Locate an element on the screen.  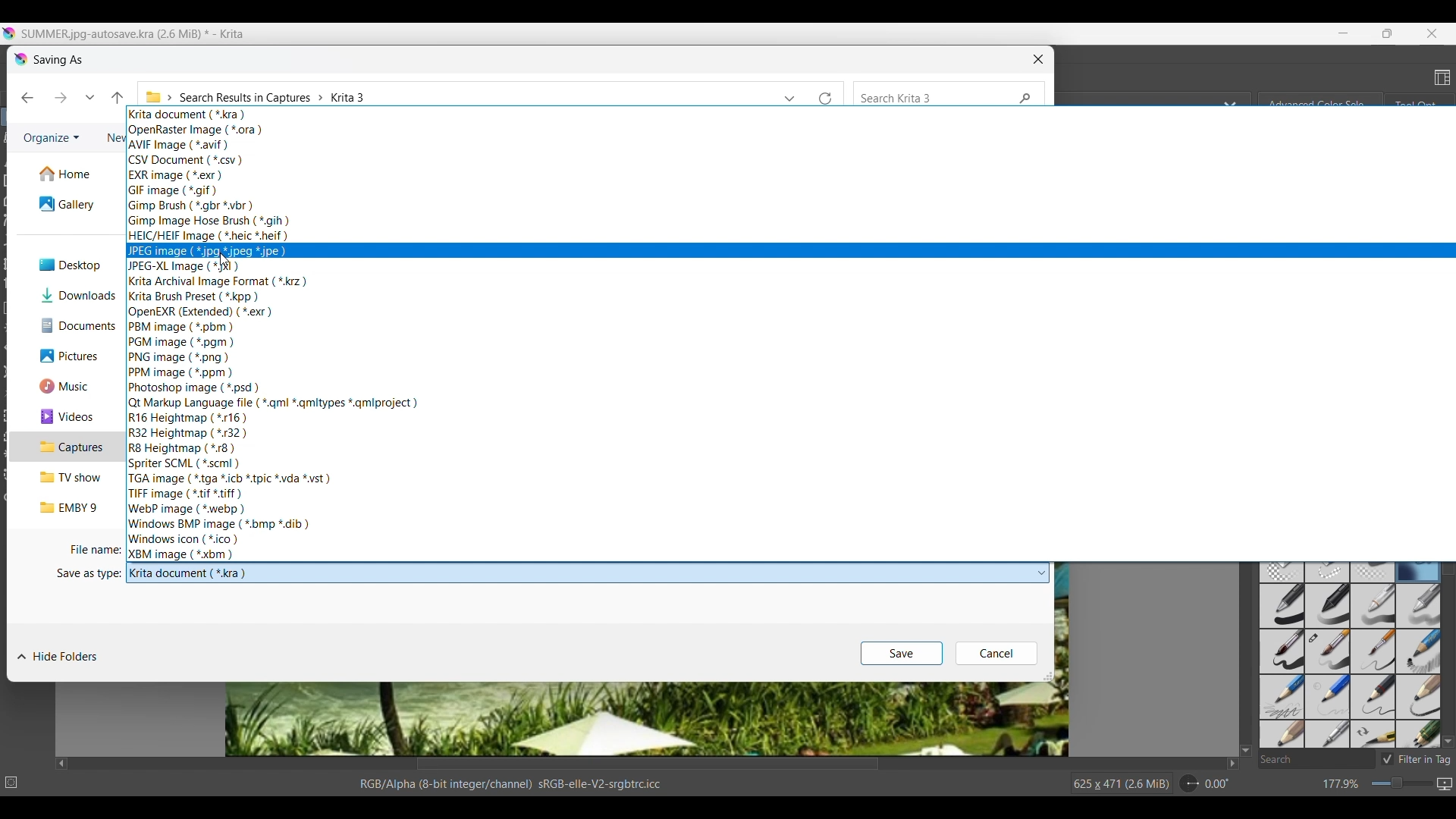
625 x 471 (26 MiB) is located at coordinates (1112, 783).